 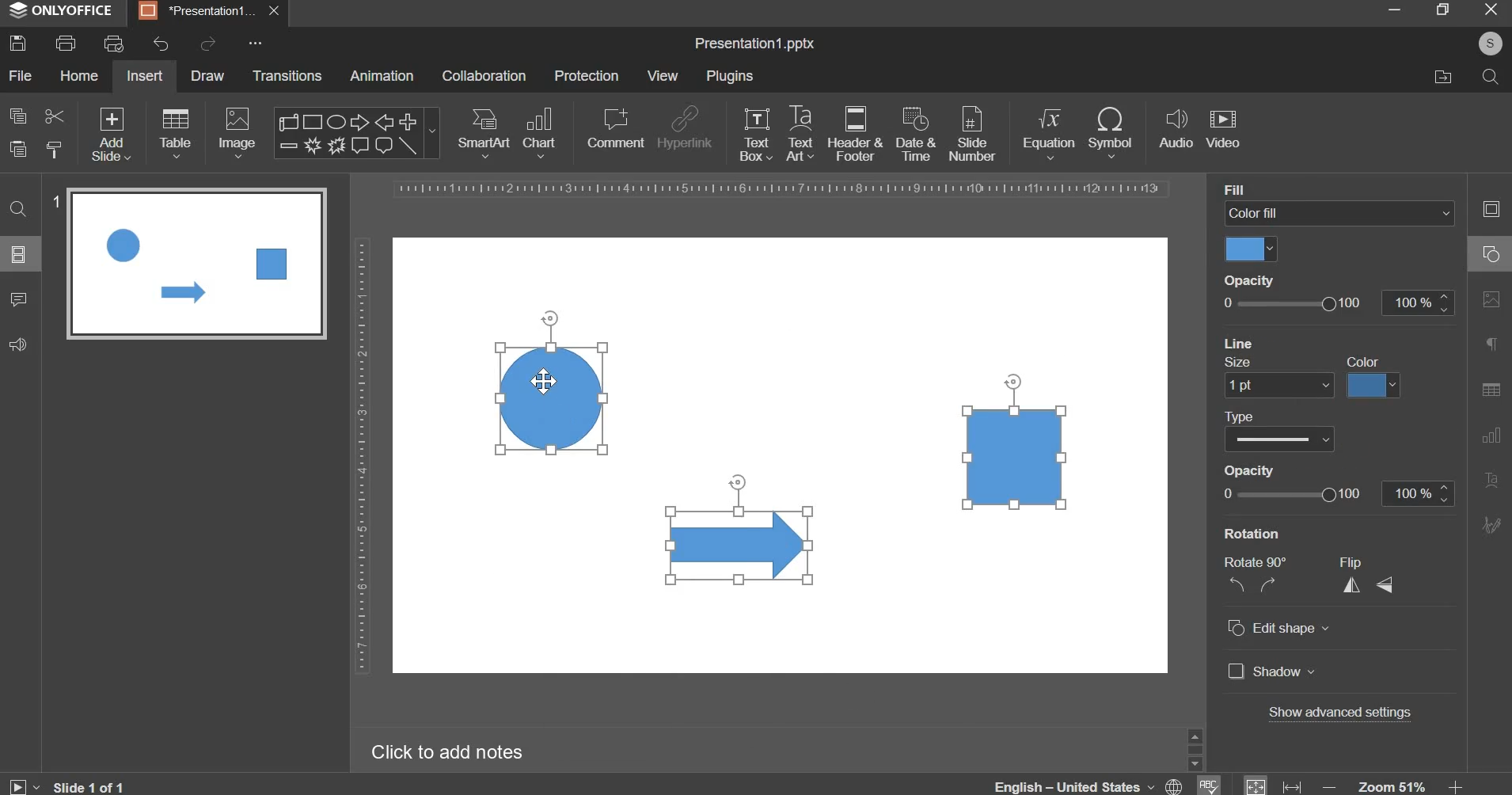 What do you see at coordinates (1491, 8) in the screenshot?
I see `exit` at bounding box center [1491, 8].